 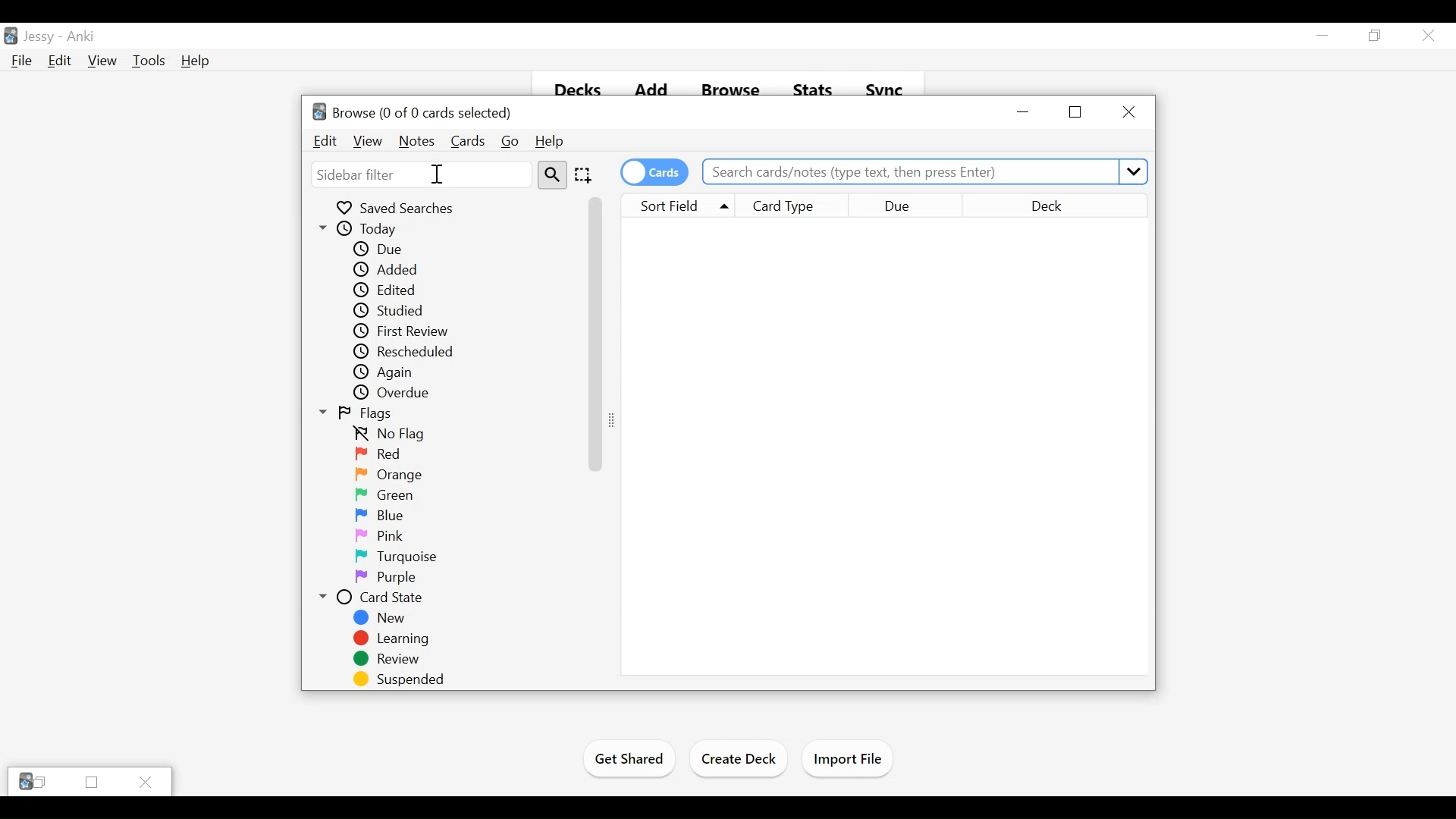 I want to click on Card Type, so click(x=795, y=206).